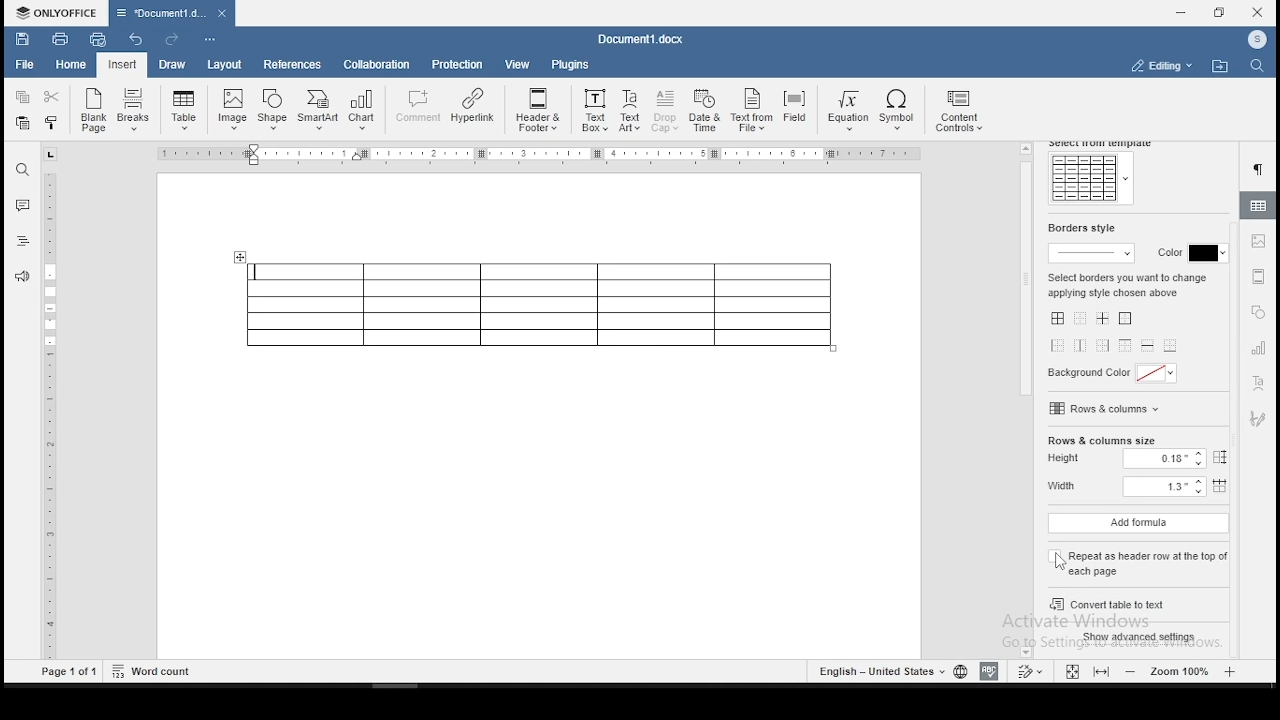 This screenshot has height=720, width=1280. Describe the element at coordinates (989, 672) in the screenshot. I see `spell check` at that location.